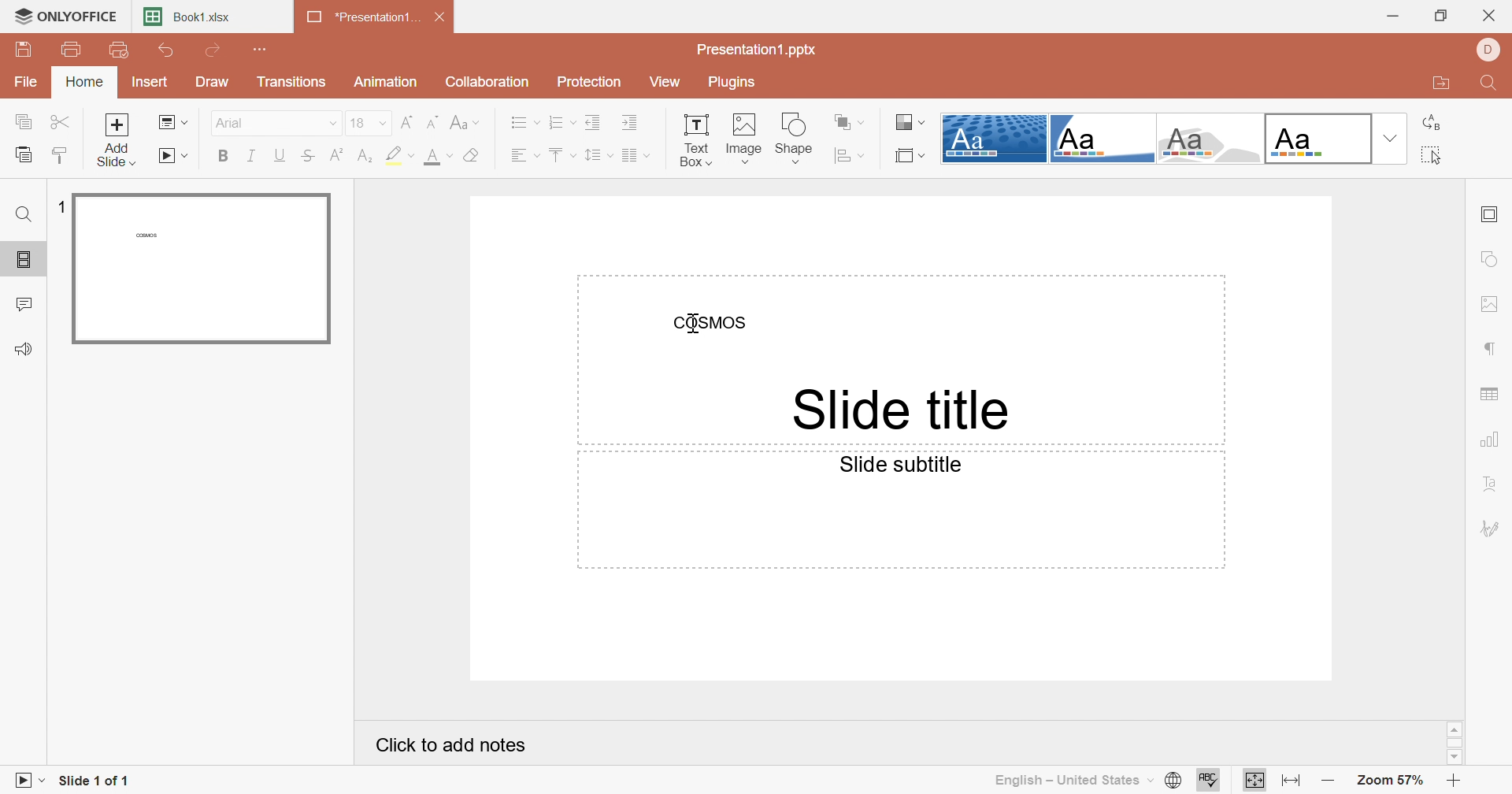 The width and height of the screenshot is (1512, 794). I want to click on Drop down, so click(1393, 139).